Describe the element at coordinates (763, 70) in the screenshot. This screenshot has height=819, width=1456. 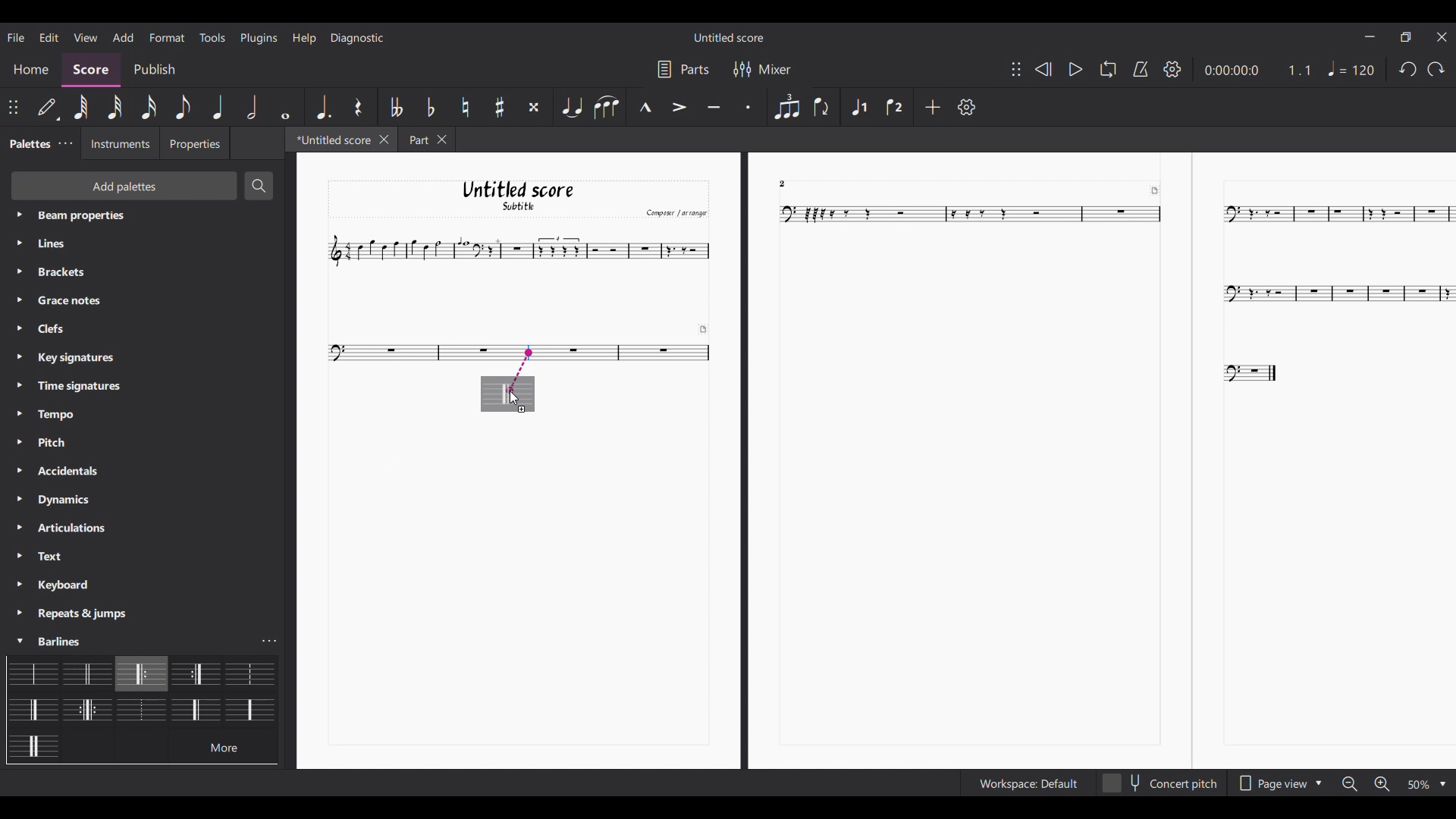
I see `Mixer settings` at that location.